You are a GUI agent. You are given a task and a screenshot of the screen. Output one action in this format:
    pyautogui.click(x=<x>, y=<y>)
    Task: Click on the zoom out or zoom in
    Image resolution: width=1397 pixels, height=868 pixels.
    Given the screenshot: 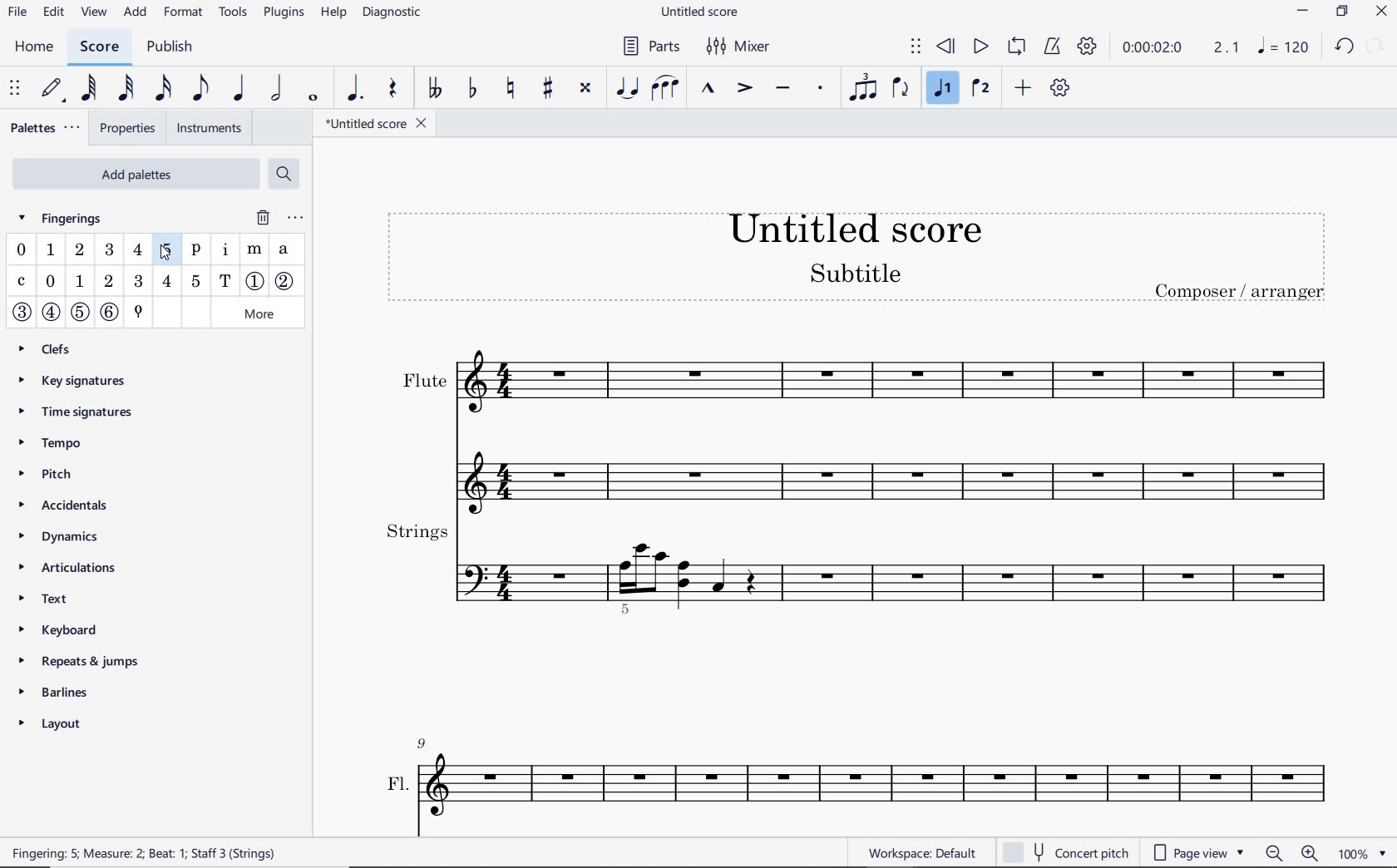 What is the action you would take?
    pyautogui.click(x=1292, y=852)
    